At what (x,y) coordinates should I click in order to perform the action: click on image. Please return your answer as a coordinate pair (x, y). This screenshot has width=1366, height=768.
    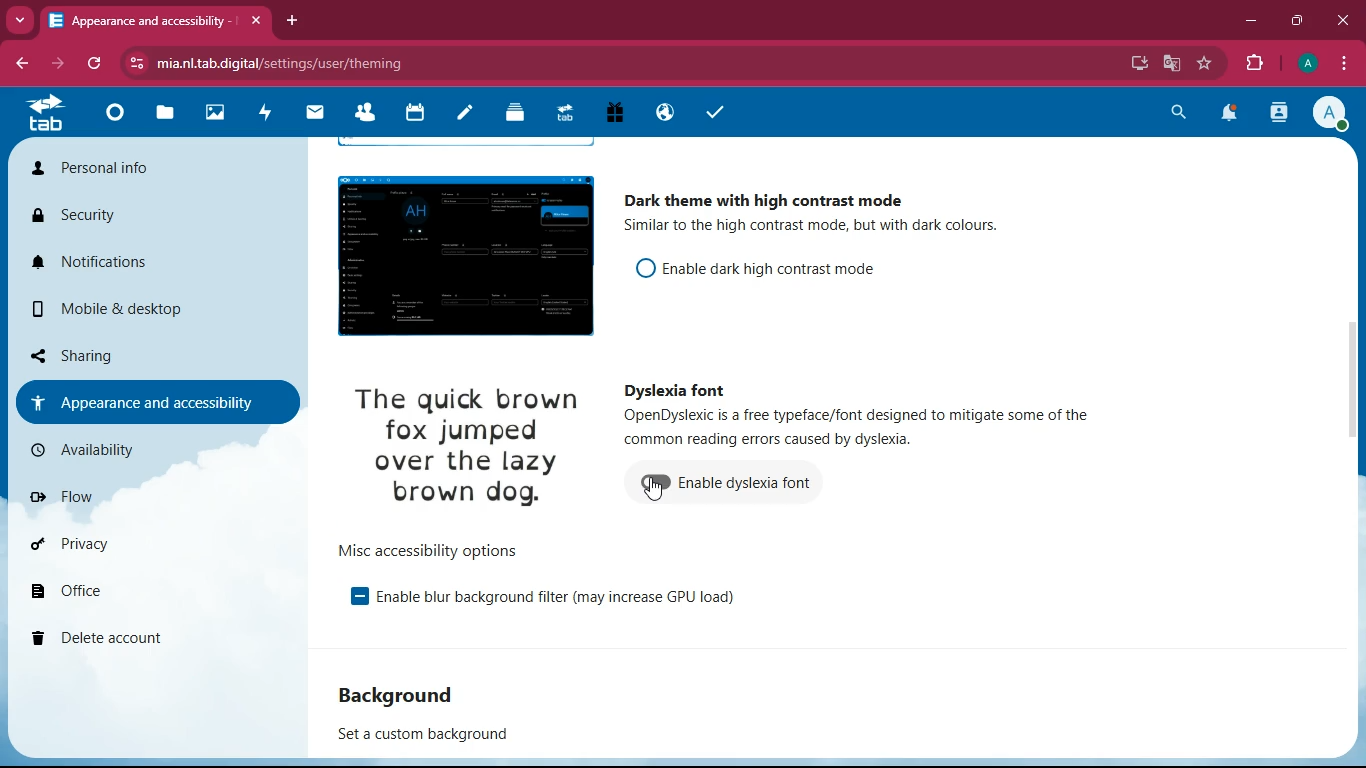
    Looking at the image, I should click on (458, 253).